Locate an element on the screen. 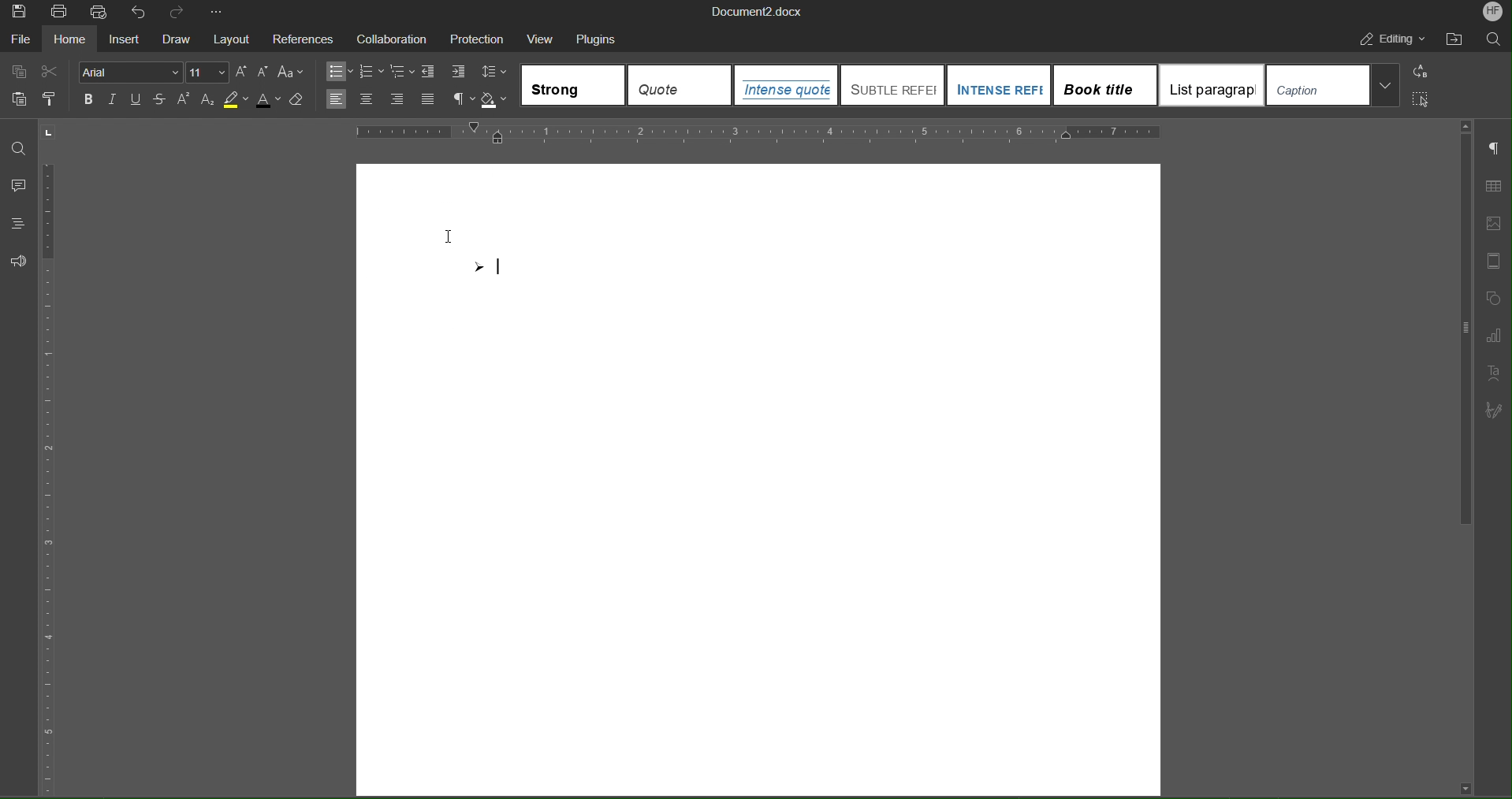 The height and width of the screenshot is (799, 1512). Highlight is located at coordinates (239, 98).